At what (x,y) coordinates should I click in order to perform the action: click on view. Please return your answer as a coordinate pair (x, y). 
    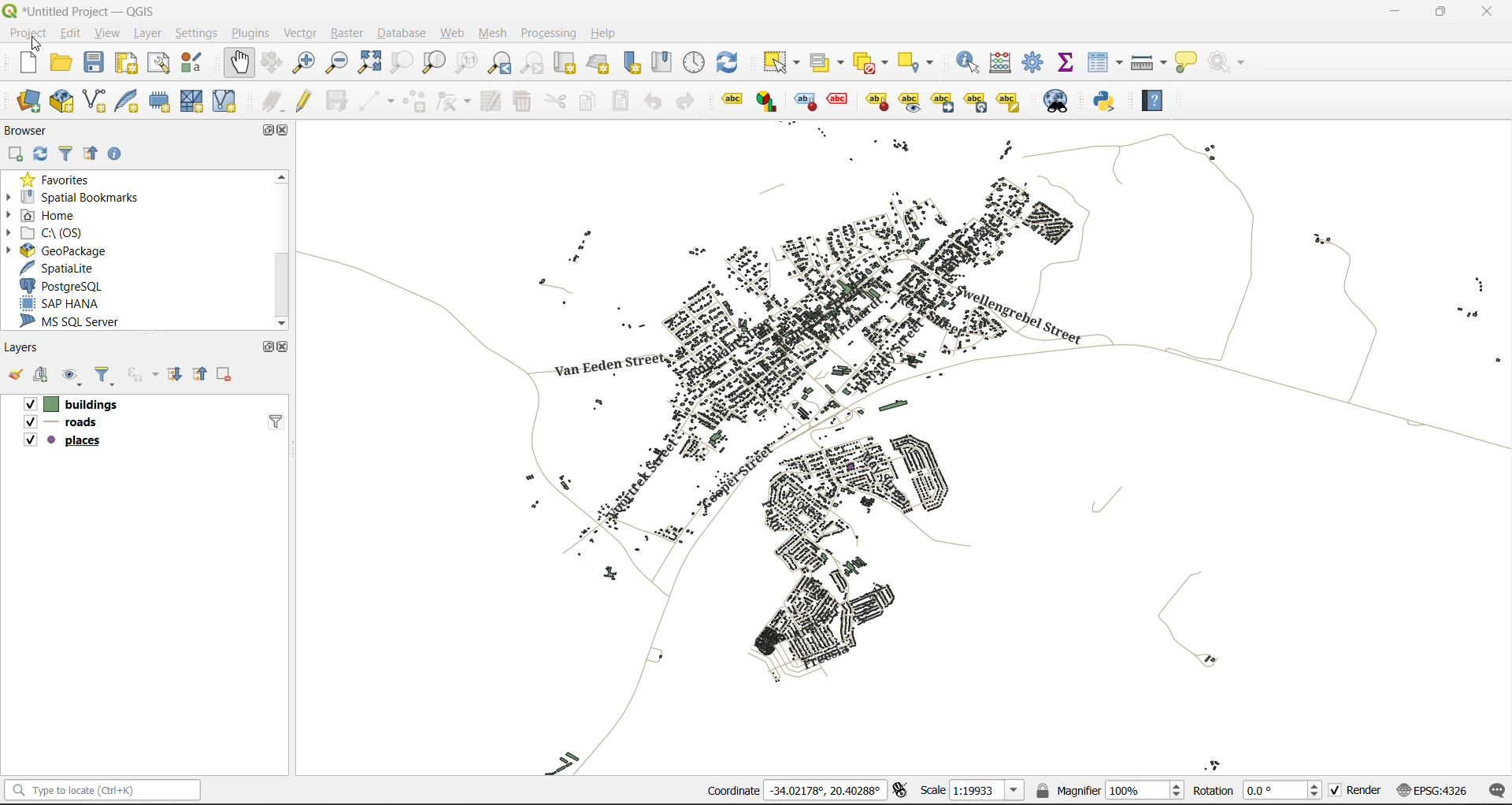
    Looking at the image, I should click on (104, 32).